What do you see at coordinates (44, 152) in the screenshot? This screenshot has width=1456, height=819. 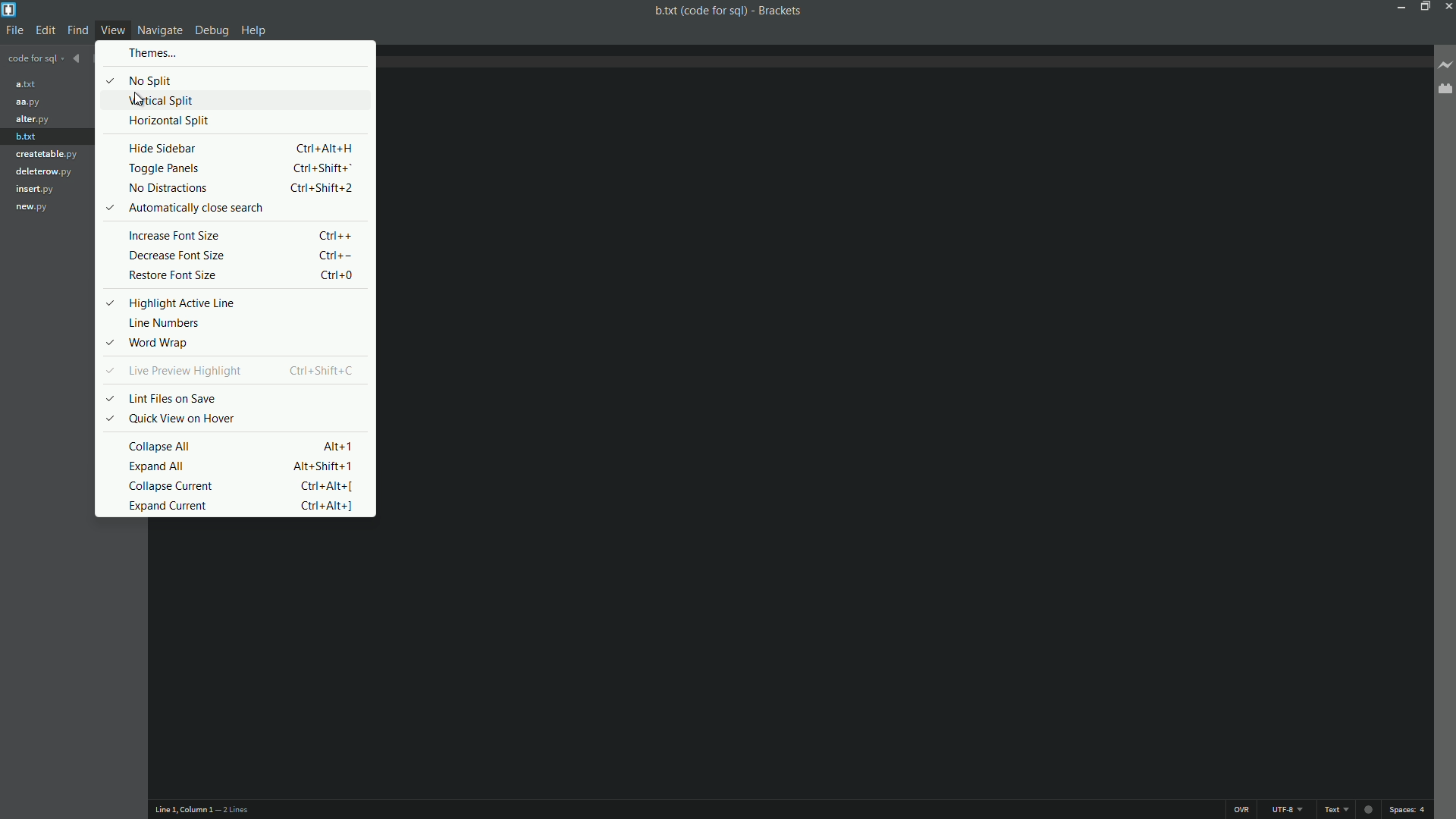 I see `creatable.py` at bounding box center [44, 152].